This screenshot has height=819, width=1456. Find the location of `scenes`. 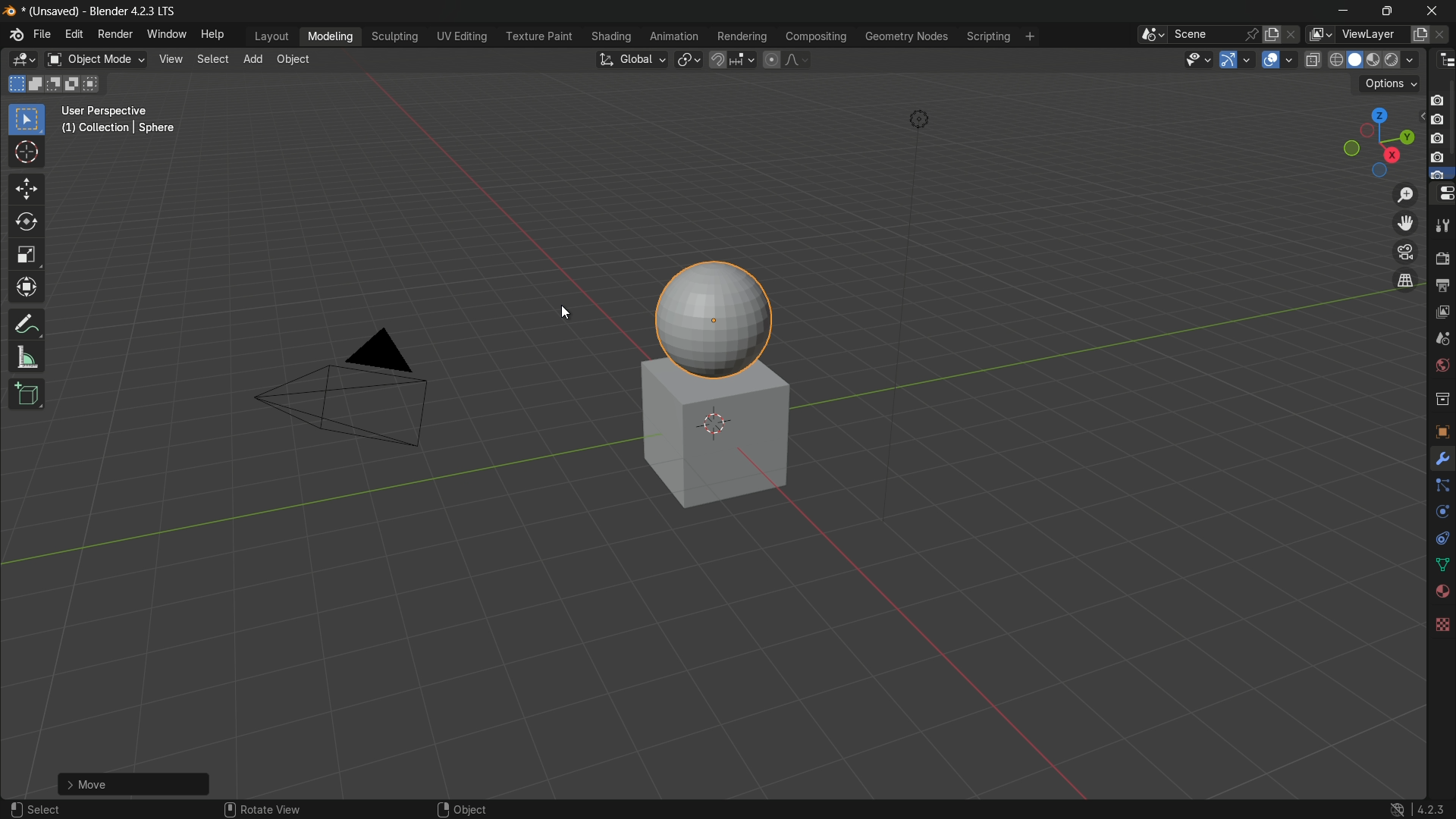

scenes is located at coordinates (1442, 337).